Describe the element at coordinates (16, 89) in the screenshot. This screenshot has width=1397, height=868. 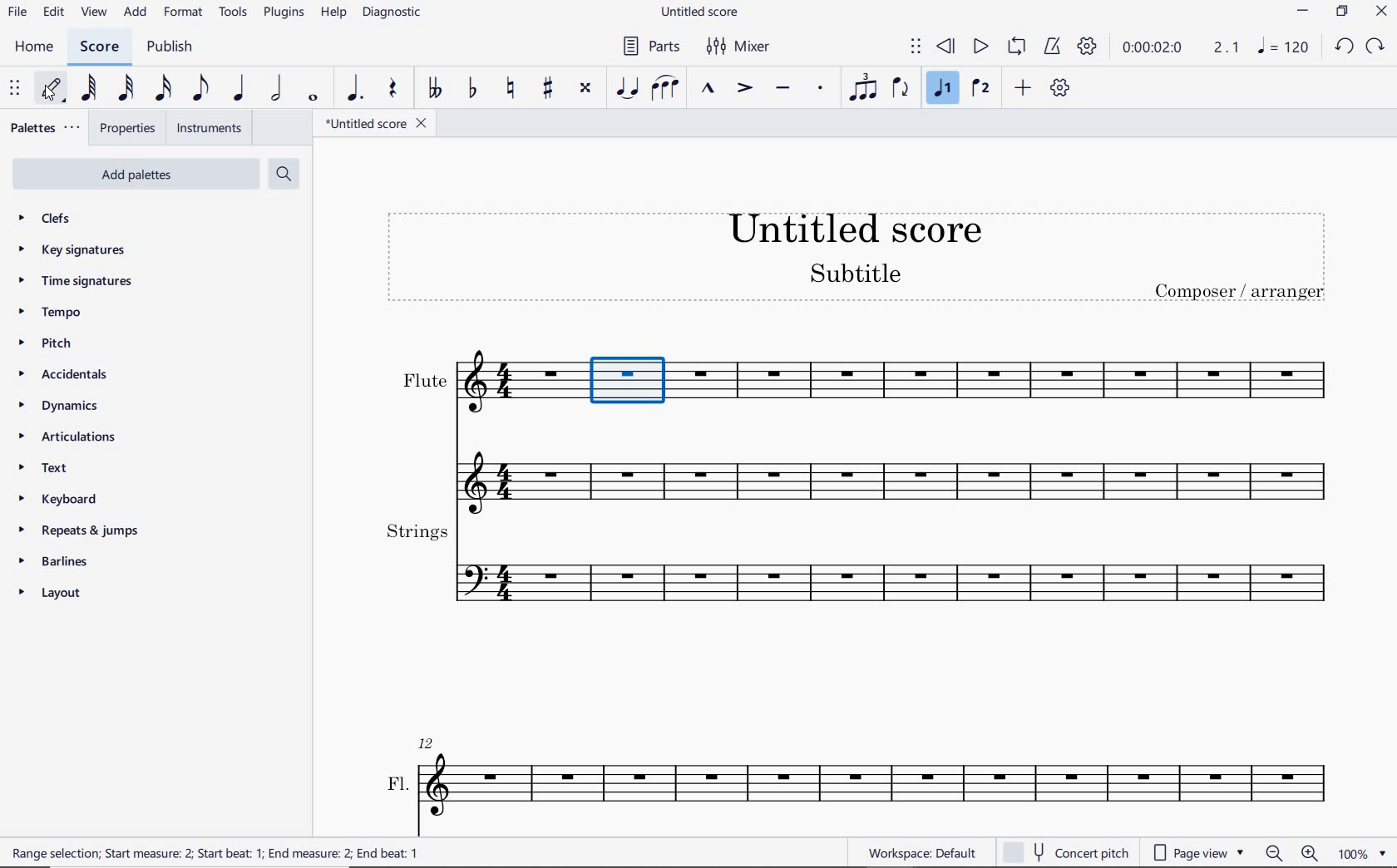
I see `SELECT TO MOVE` at that location.